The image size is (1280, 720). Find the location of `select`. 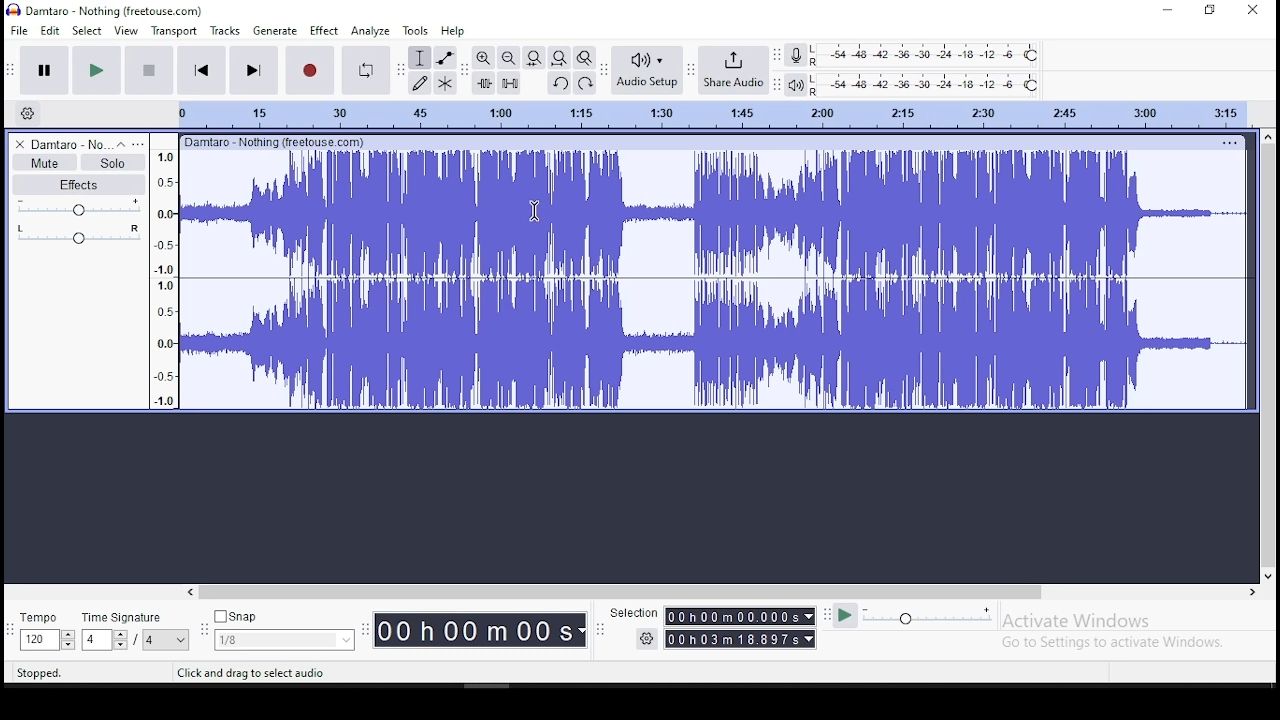

select is located at coordinates (87, 30).